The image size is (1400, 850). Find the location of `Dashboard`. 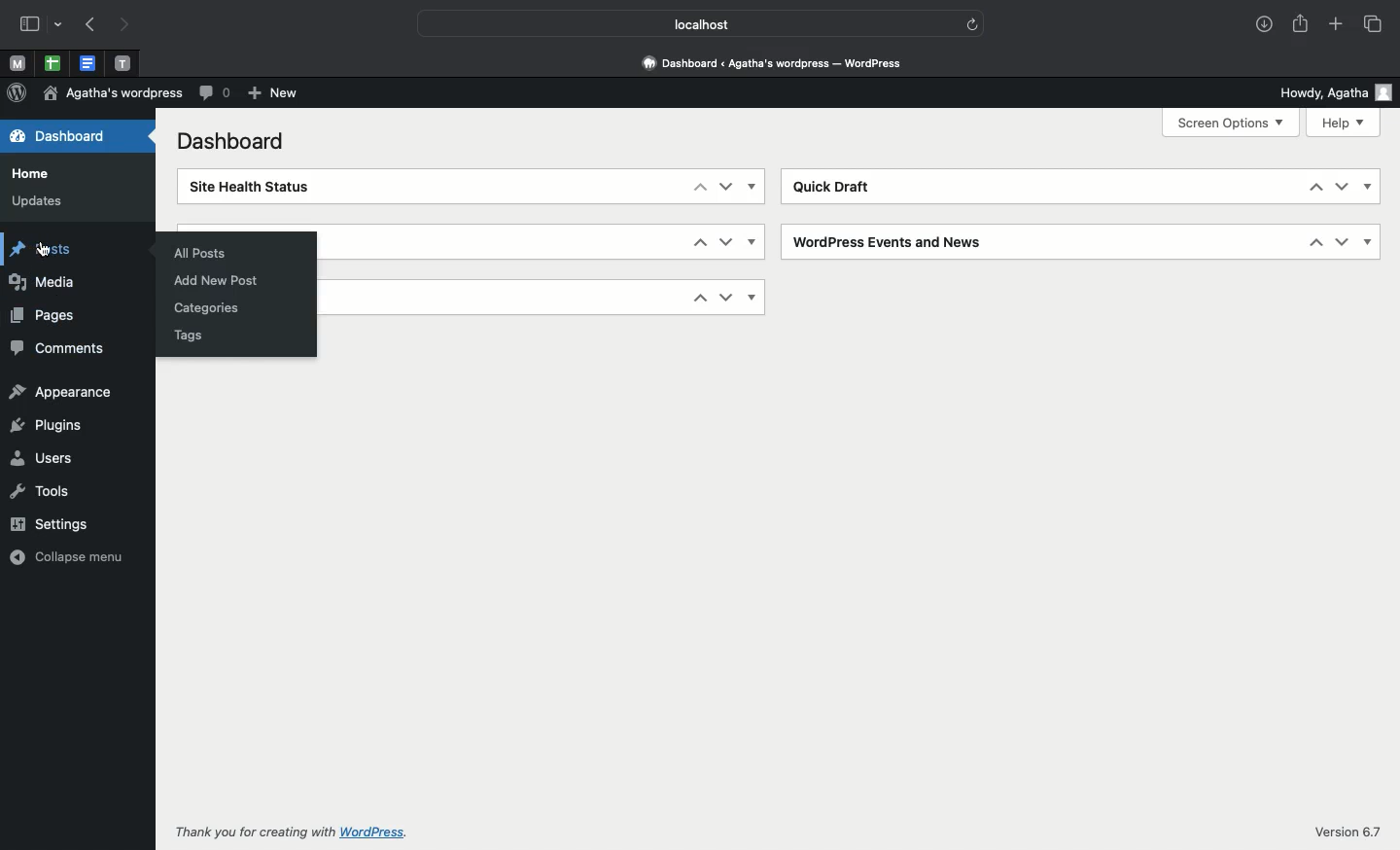

Dashboard is located at coordinates (779, 62).